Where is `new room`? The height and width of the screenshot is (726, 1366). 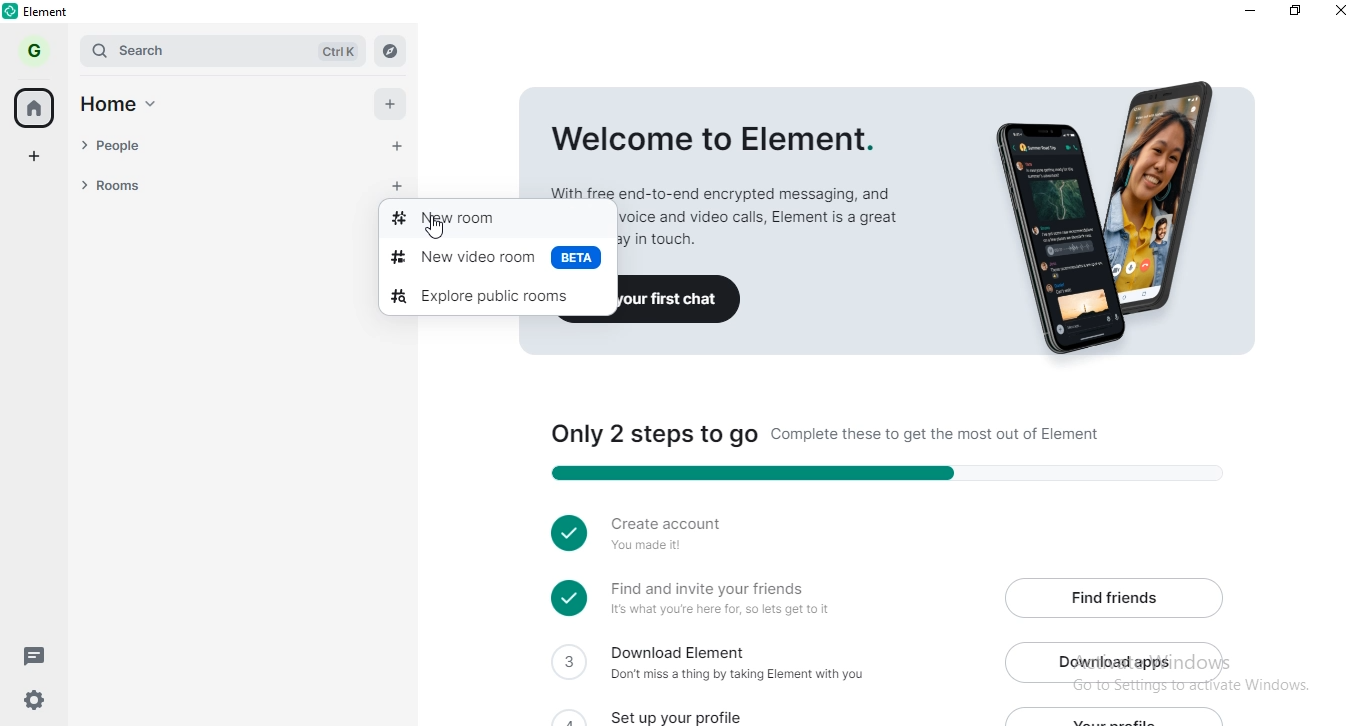 new room is located at coordinates (497, 212).